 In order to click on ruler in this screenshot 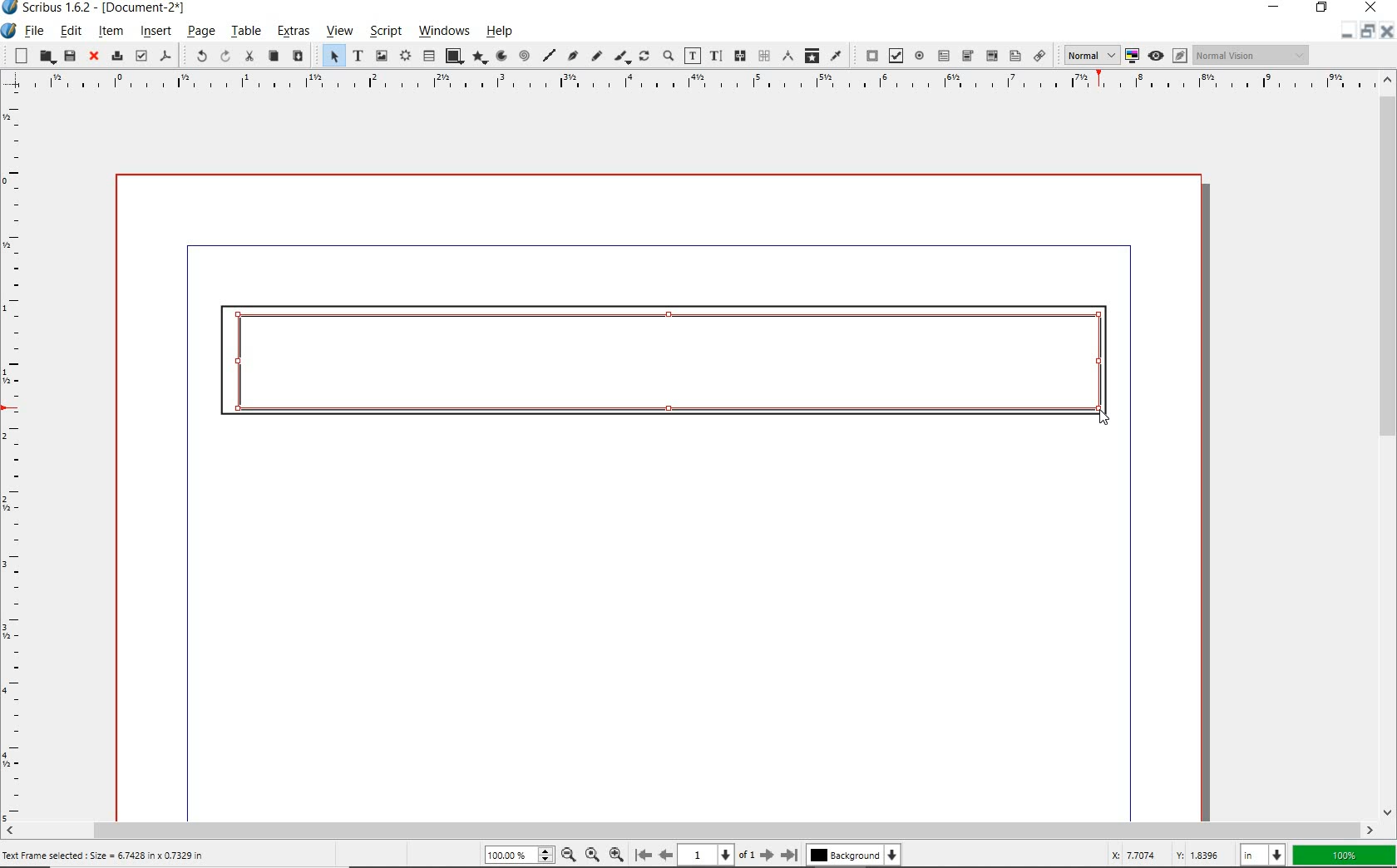, I will do `click(692, 84)`.